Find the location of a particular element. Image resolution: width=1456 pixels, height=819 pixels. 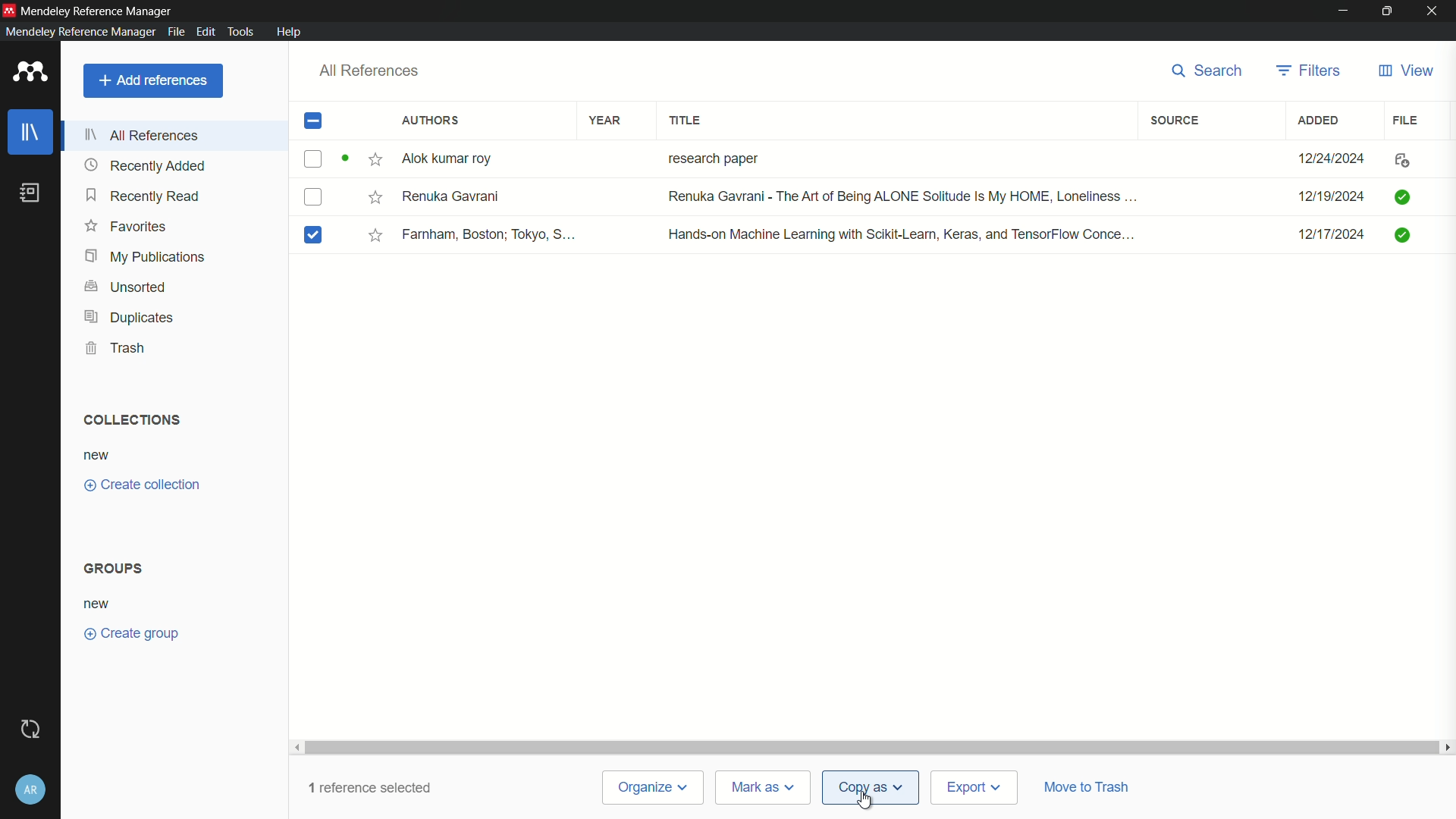

help menu is located at coordinates (291, 32).